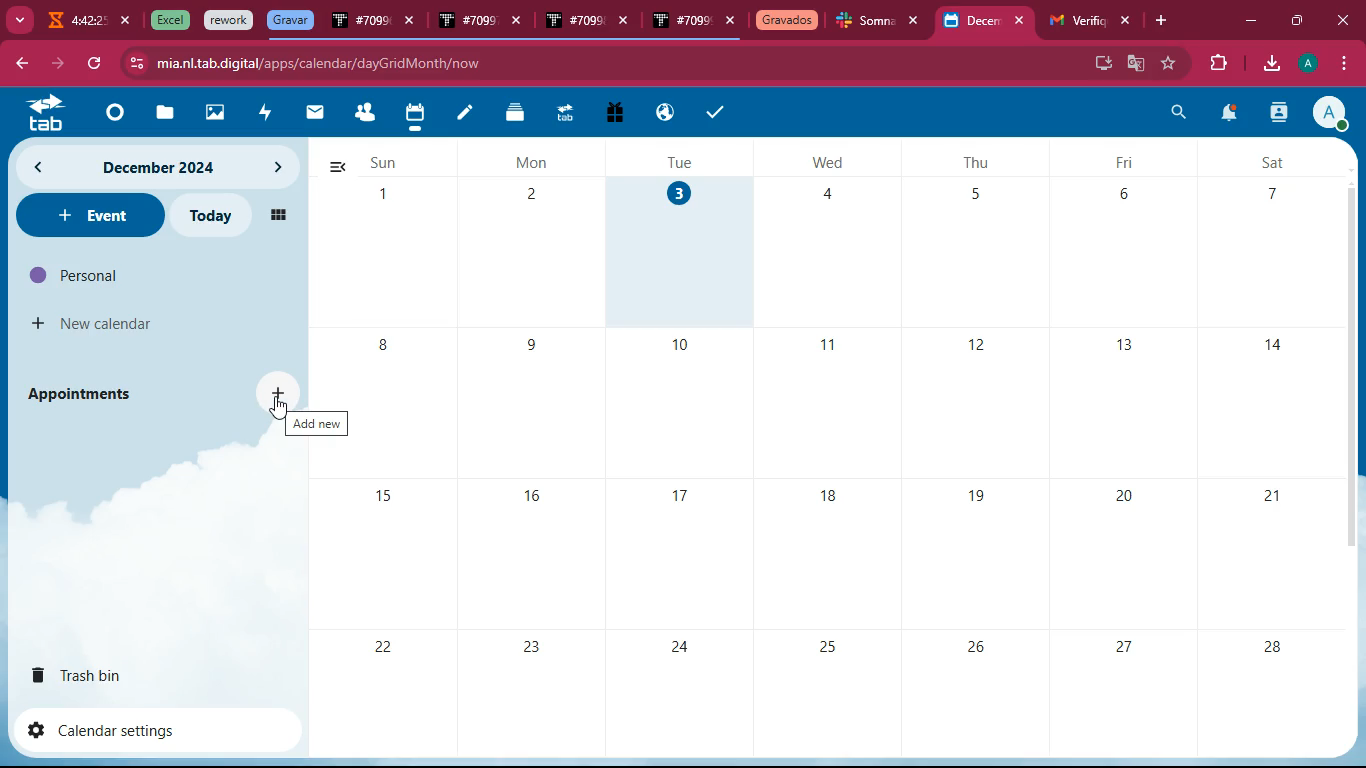 The height and width of the screenshot is (768, 1366). Describe the element at coordinates (613, 114) in the screenshot. I see `gift` at that location.